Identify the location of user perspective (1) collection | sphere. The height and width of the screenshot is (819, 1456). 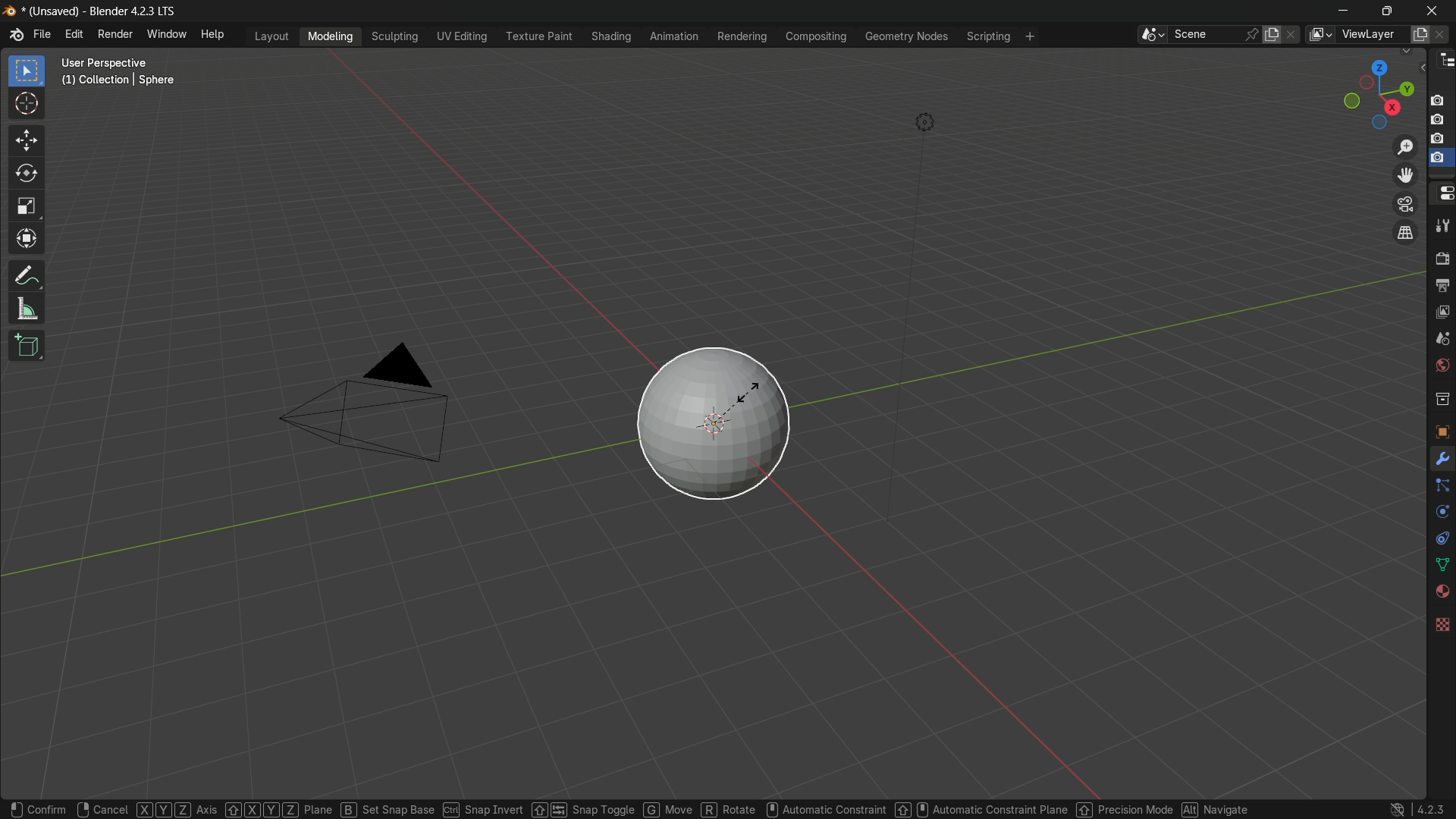
(121, 71).